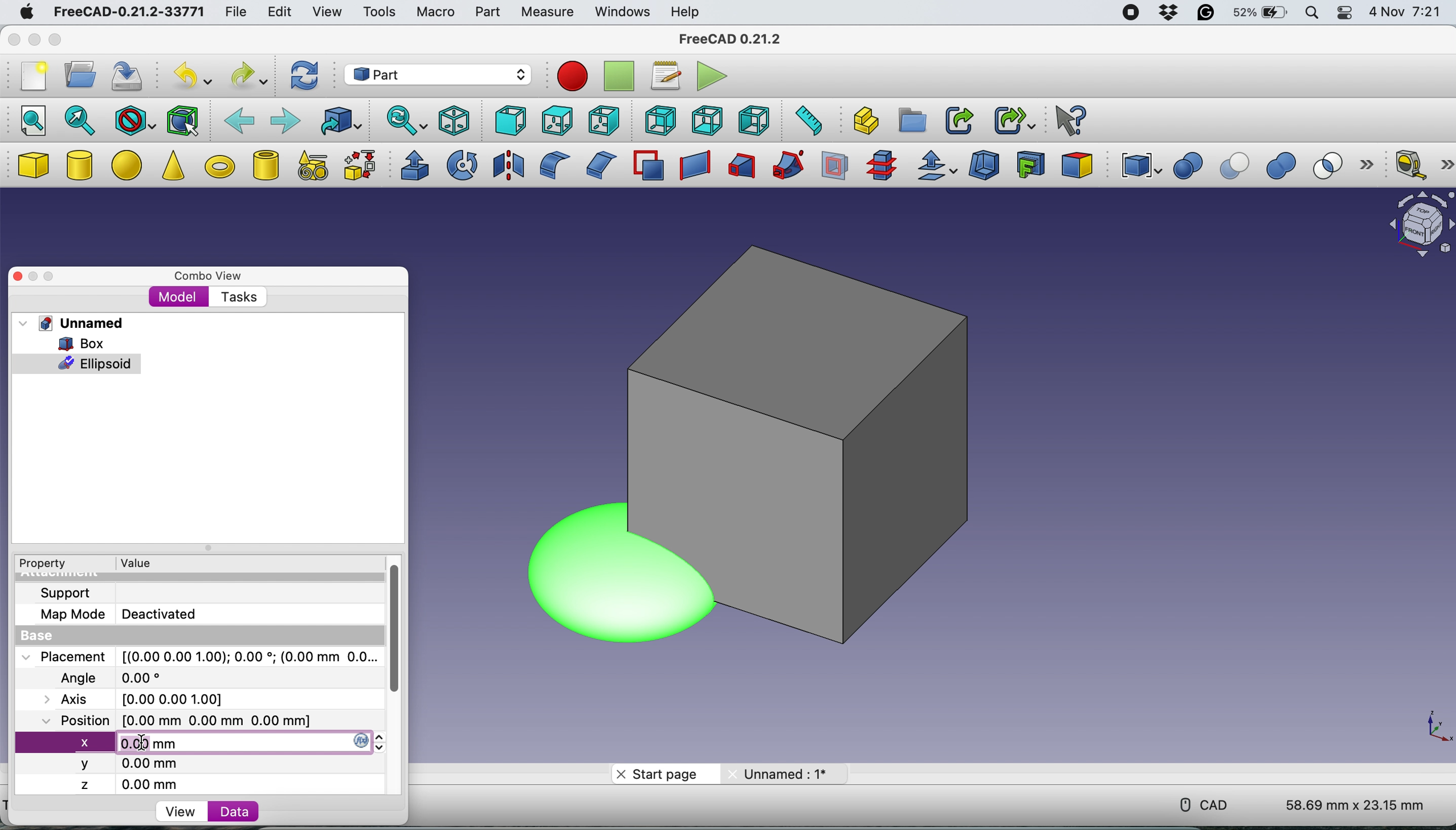  Describe the element at coordinates (71, 323) in the screenshot. I see `unnamed` at that location.